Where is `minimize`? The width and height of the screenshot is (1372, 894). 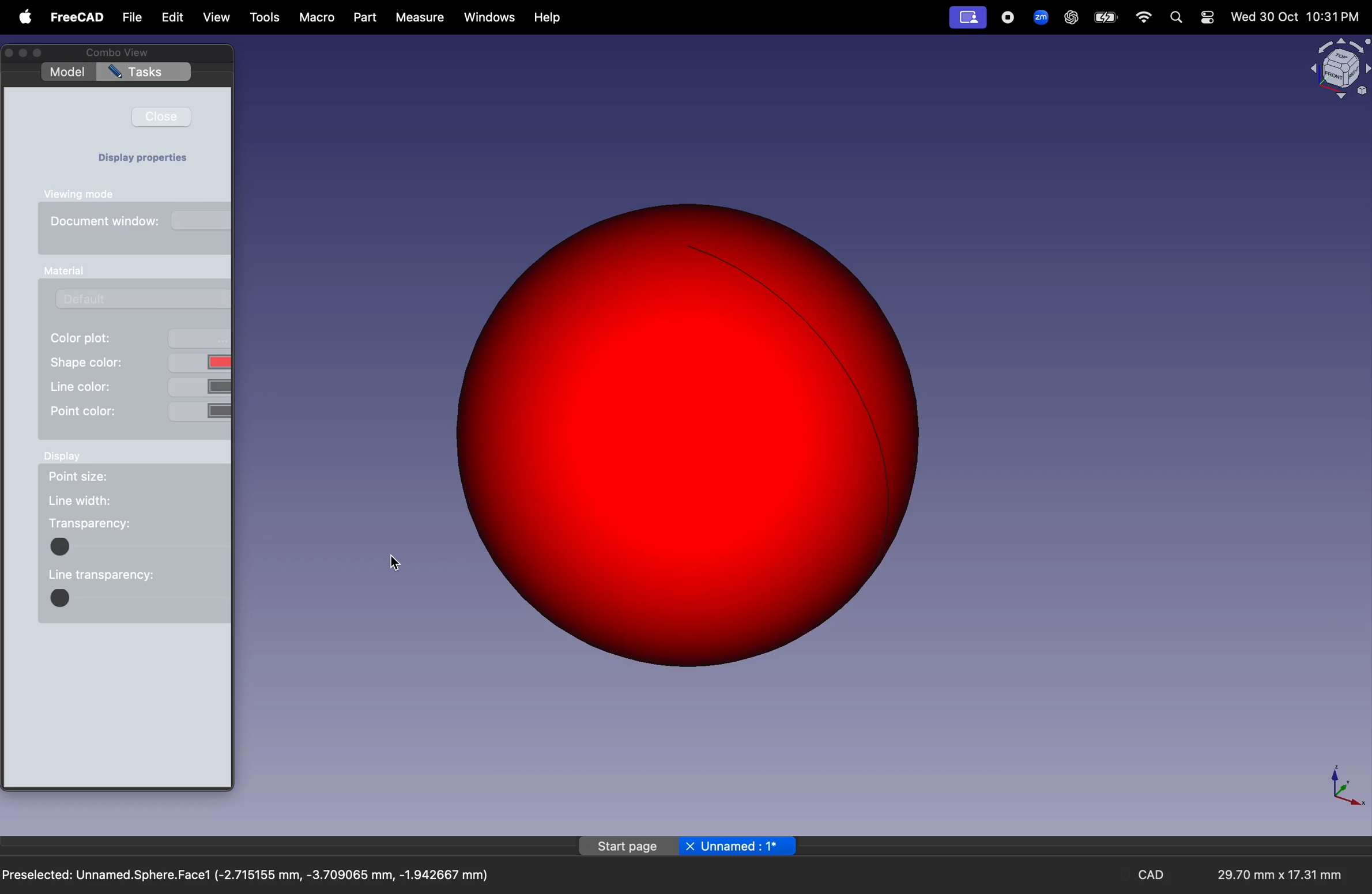
minimize is located at coordinates (25, 53).